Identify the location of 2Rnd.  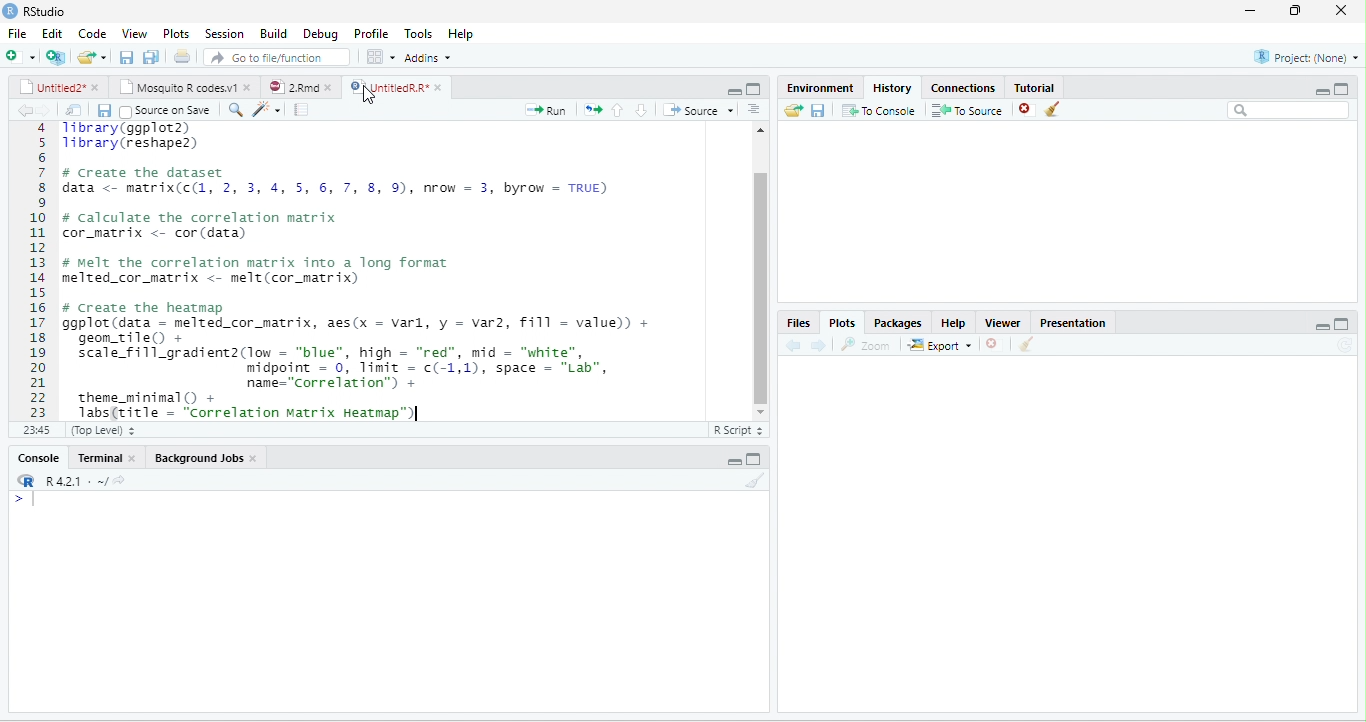
(295, 86).